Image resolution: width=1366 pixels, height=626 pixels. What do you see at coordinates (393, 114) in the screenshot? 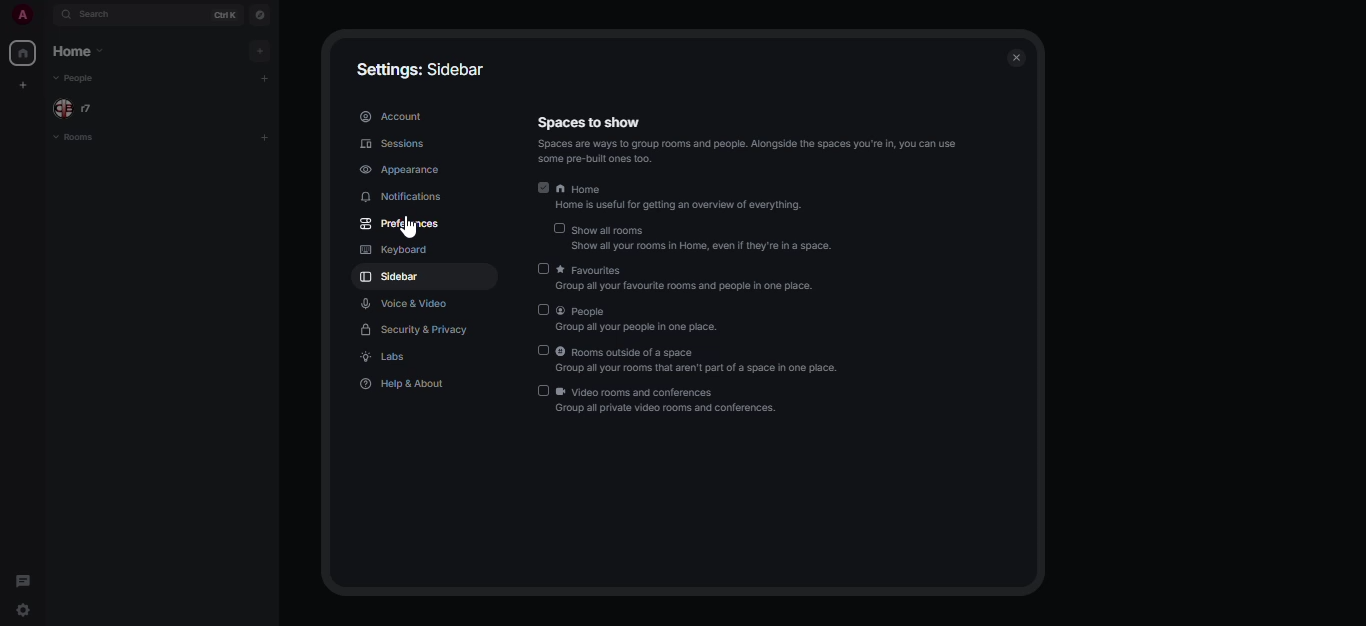
I see `account` at bounding box center [393, 114].